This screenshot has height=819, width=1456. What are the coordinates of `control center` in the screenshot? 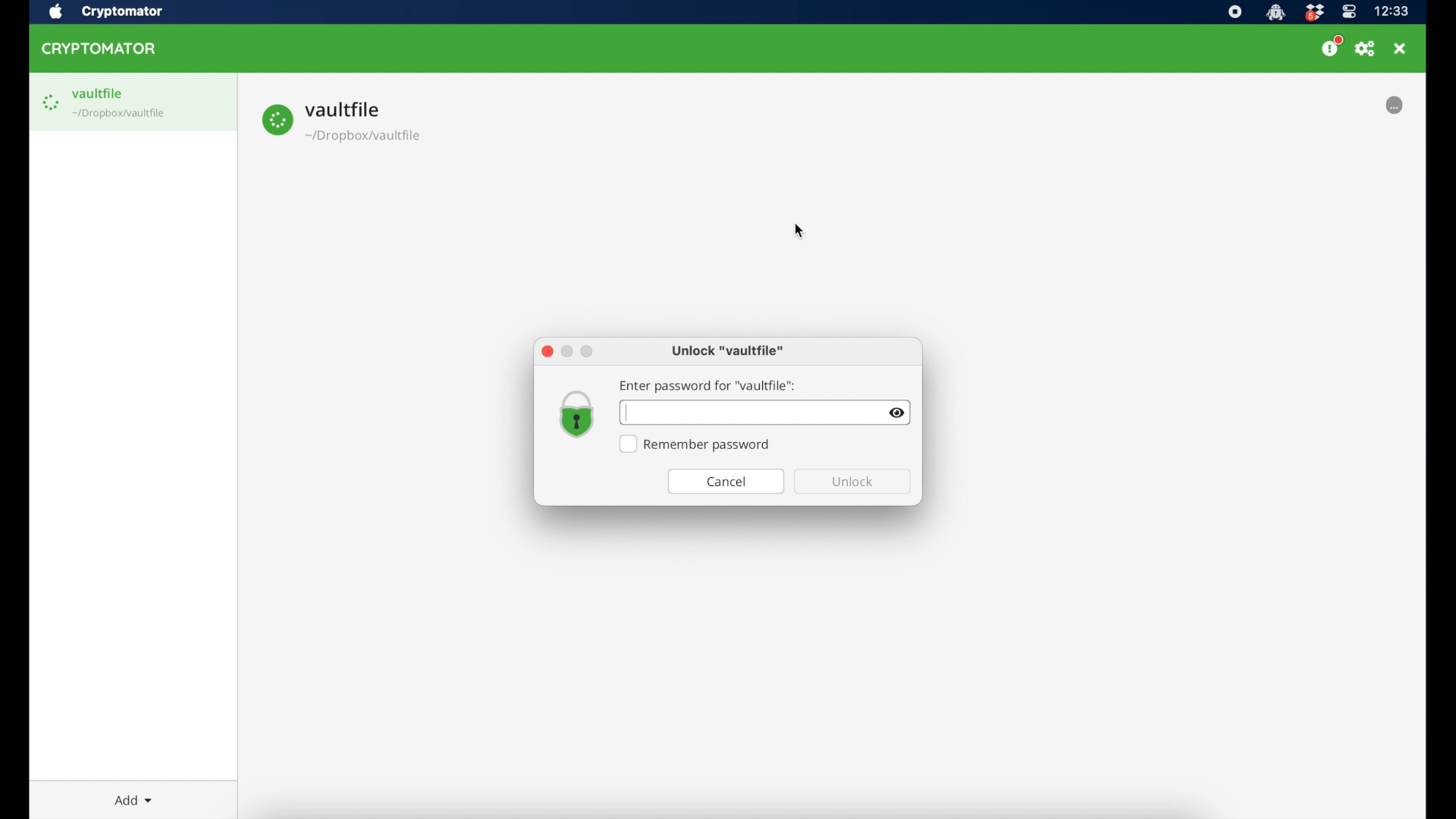 It's located at (1348, 11).